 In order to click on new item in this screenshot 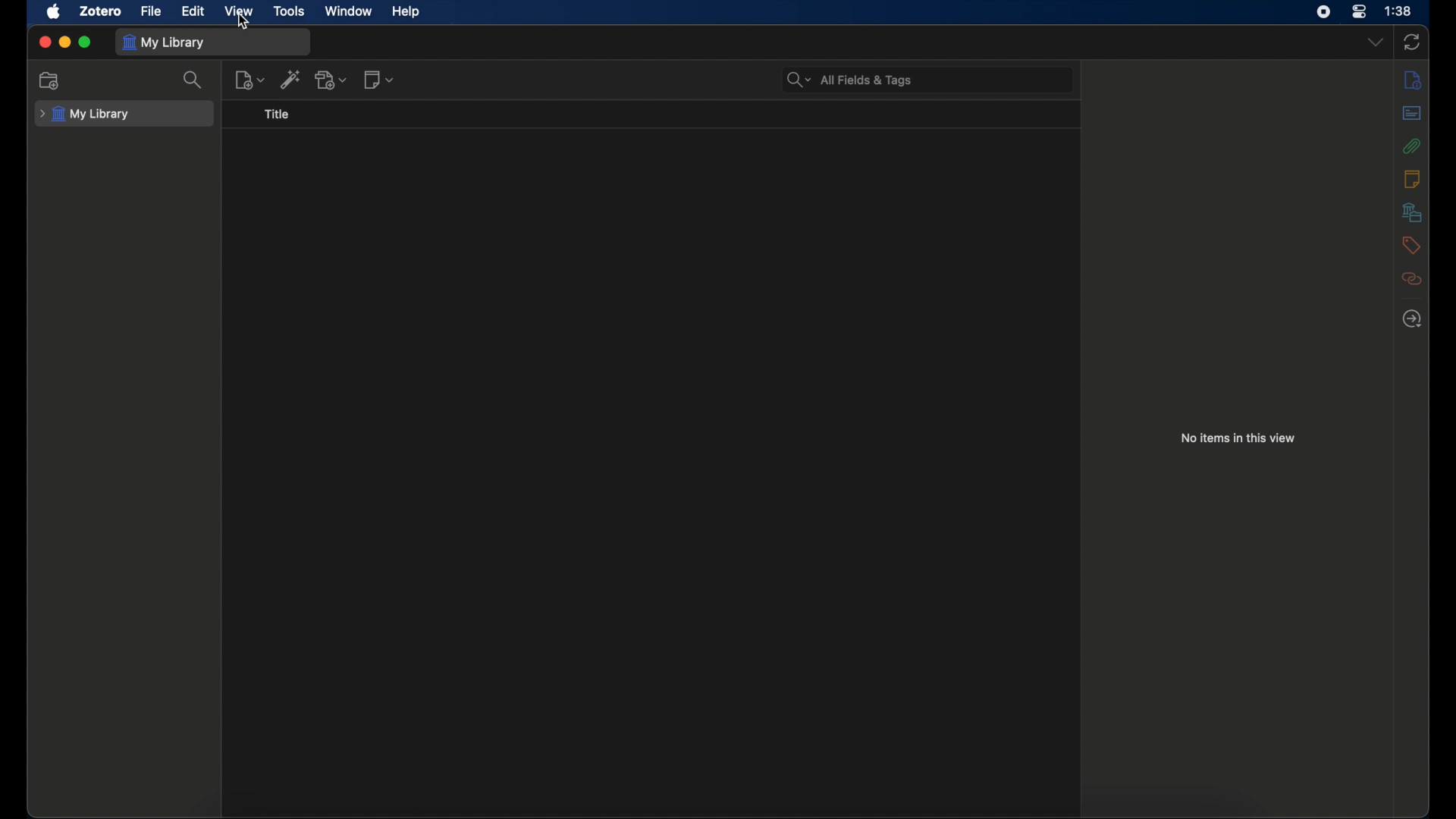, I will do `click(249, 80)`.